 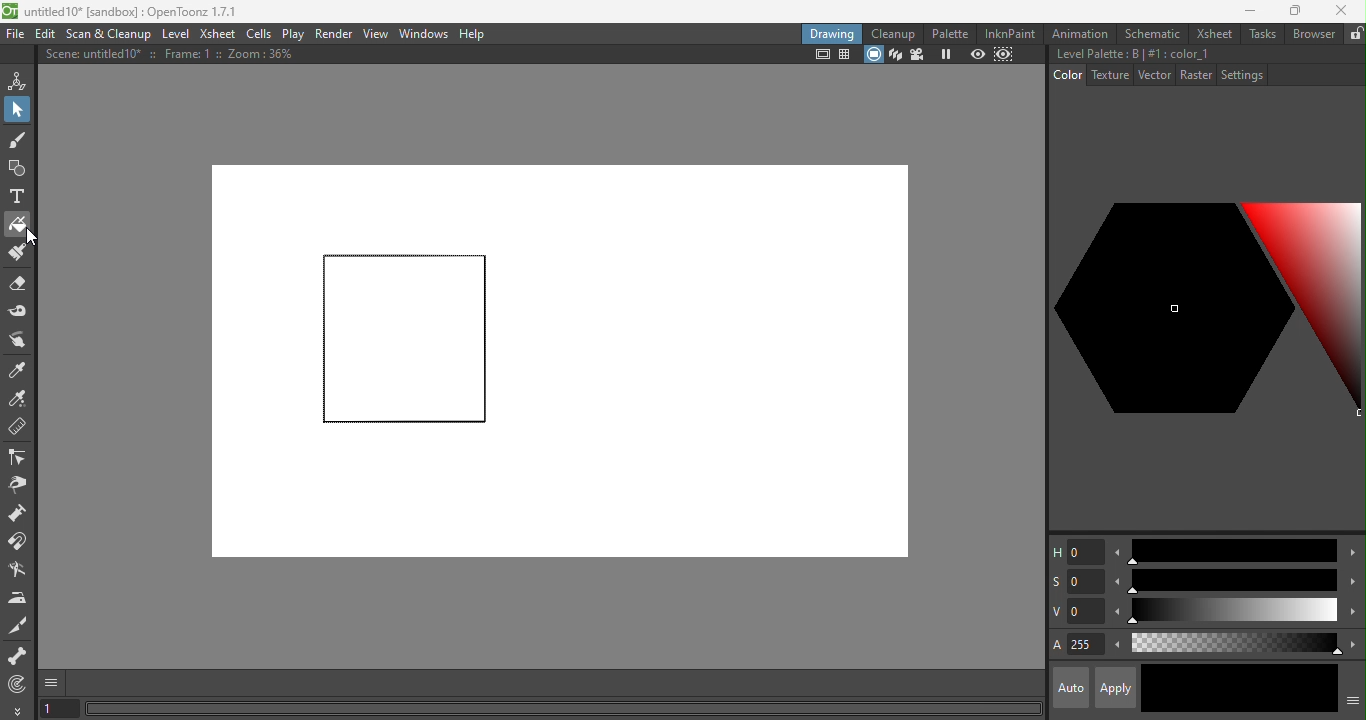 What do you see at coordinates (1250, 10) in the screenshot?
I see `Minimize` at bounding box center [1250, 10].